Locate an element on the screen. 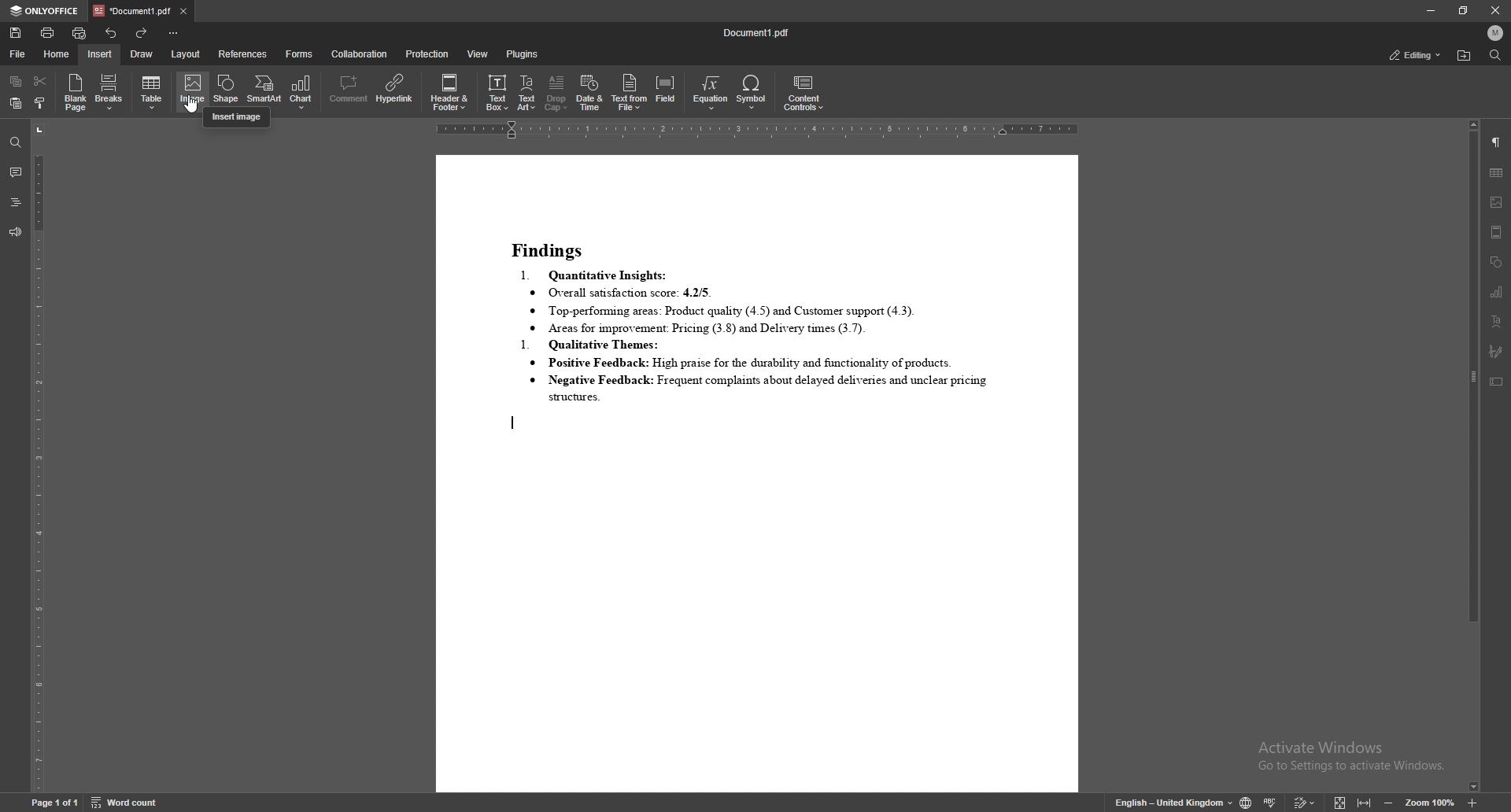 This screenshot has width=1511, height=812. table is located at coordinates (1497, 173).